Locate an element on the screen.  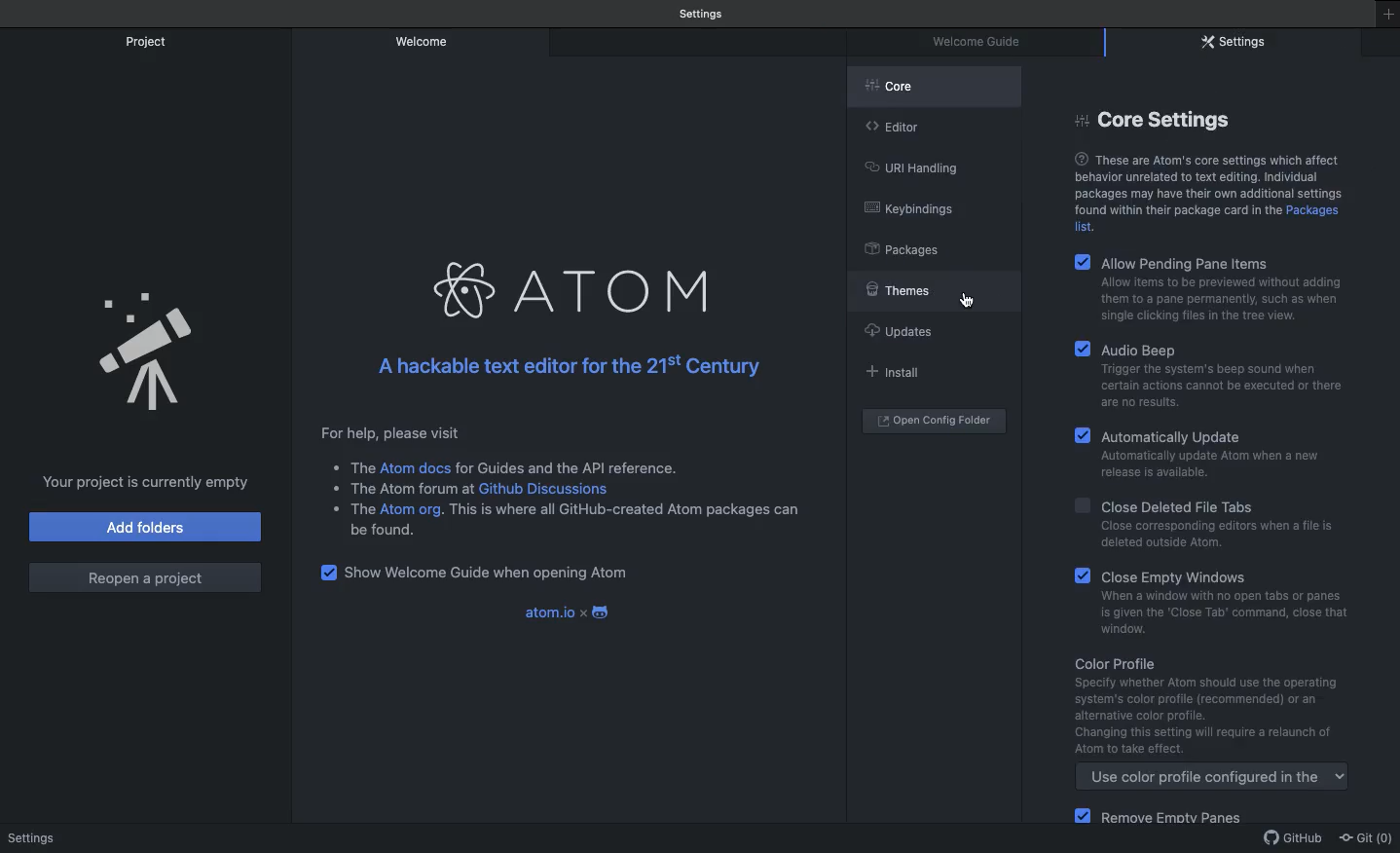
Packages is located at coordinates (907, 248).